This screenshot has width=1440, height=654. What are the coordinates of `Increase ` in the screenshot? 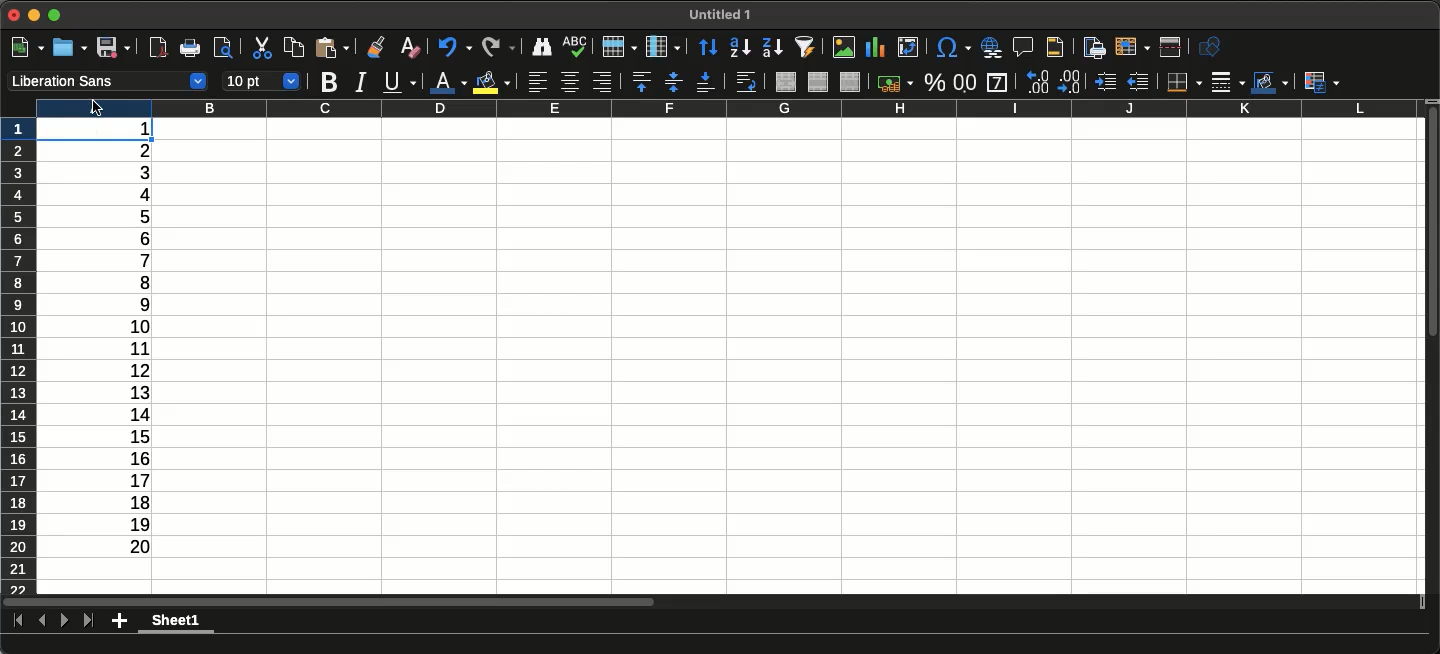 It's located at (1106, 83).